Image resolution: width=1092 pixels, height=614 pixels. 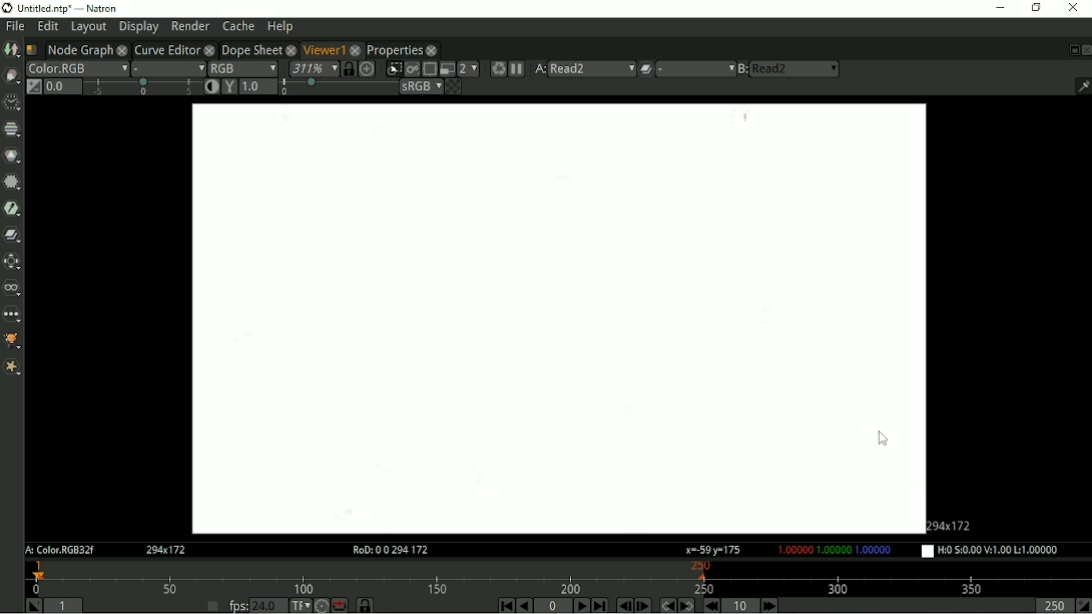 I want to click on Next frame, so click(x=644, y=605).